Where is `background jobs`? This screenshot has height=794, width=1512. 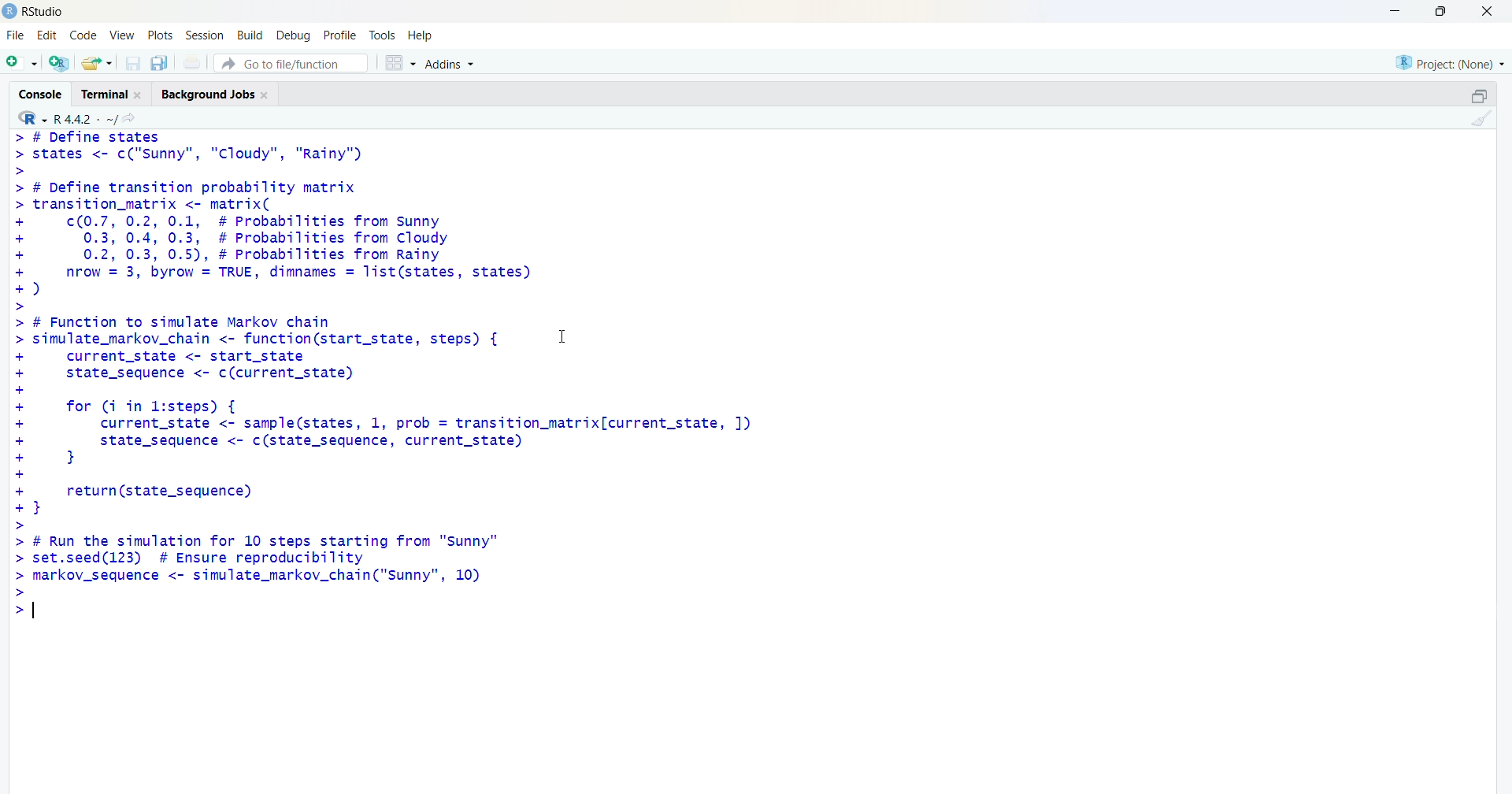 background jobs is located at coordinates (220, 95).